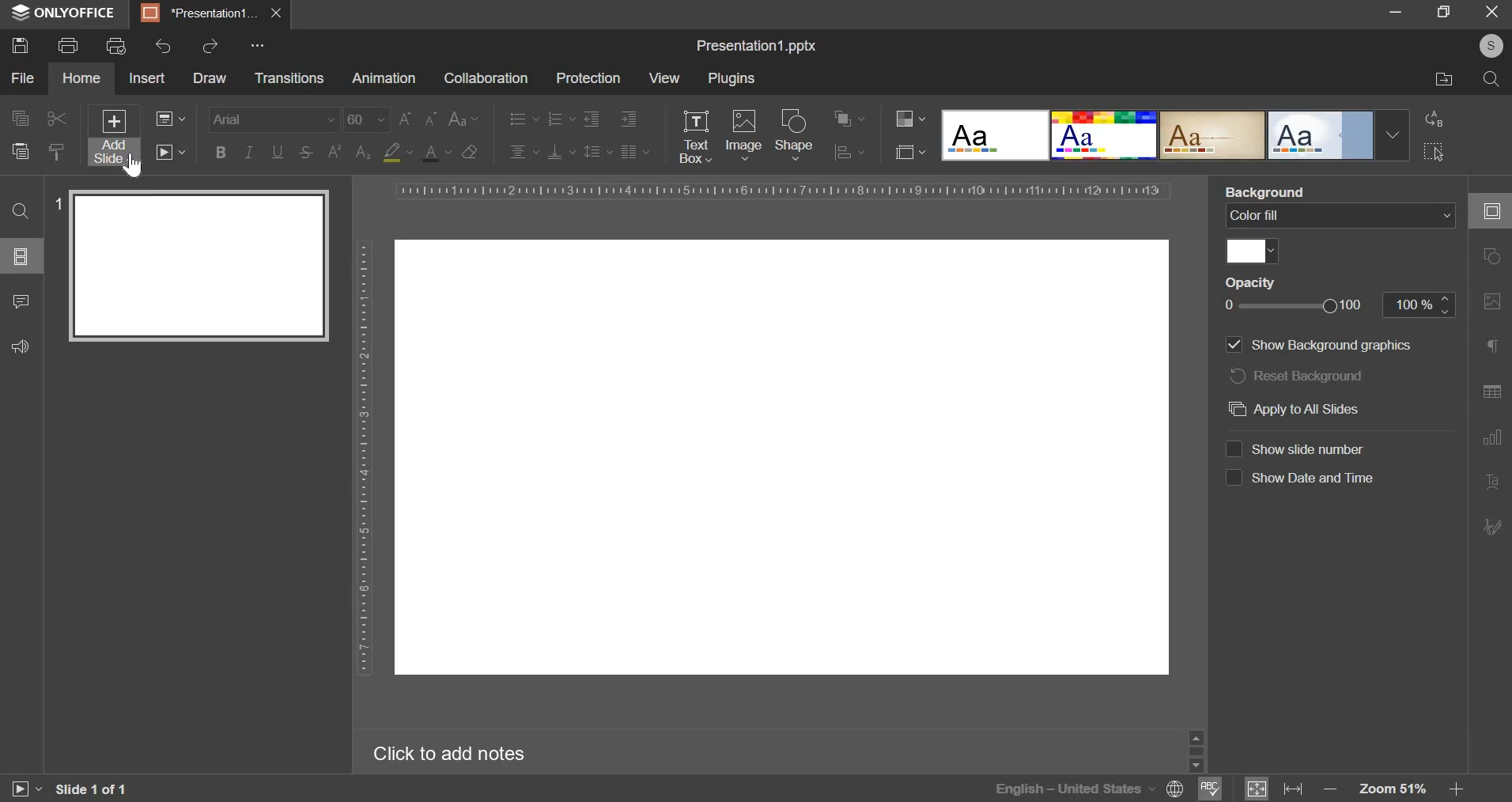 The width and height of the screenshot is (1512, 802). What do you see at coordinates (1435, 151) in the screenshot?
I see `select` at bounding box center [1435, 151].